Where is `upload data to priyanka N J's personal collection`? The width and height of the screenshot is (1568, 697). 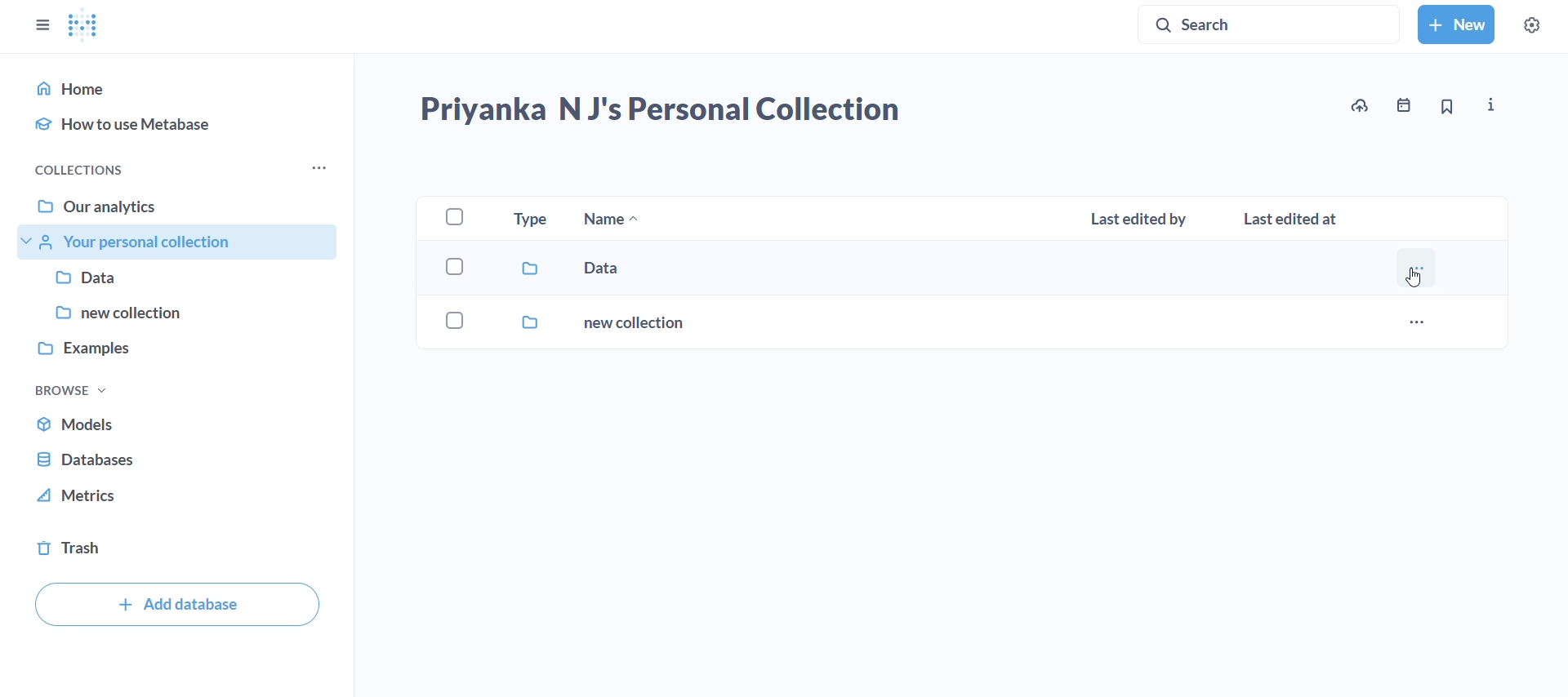 upload data to priyanka N J's personal collection is located at coordinates (1358, 105).